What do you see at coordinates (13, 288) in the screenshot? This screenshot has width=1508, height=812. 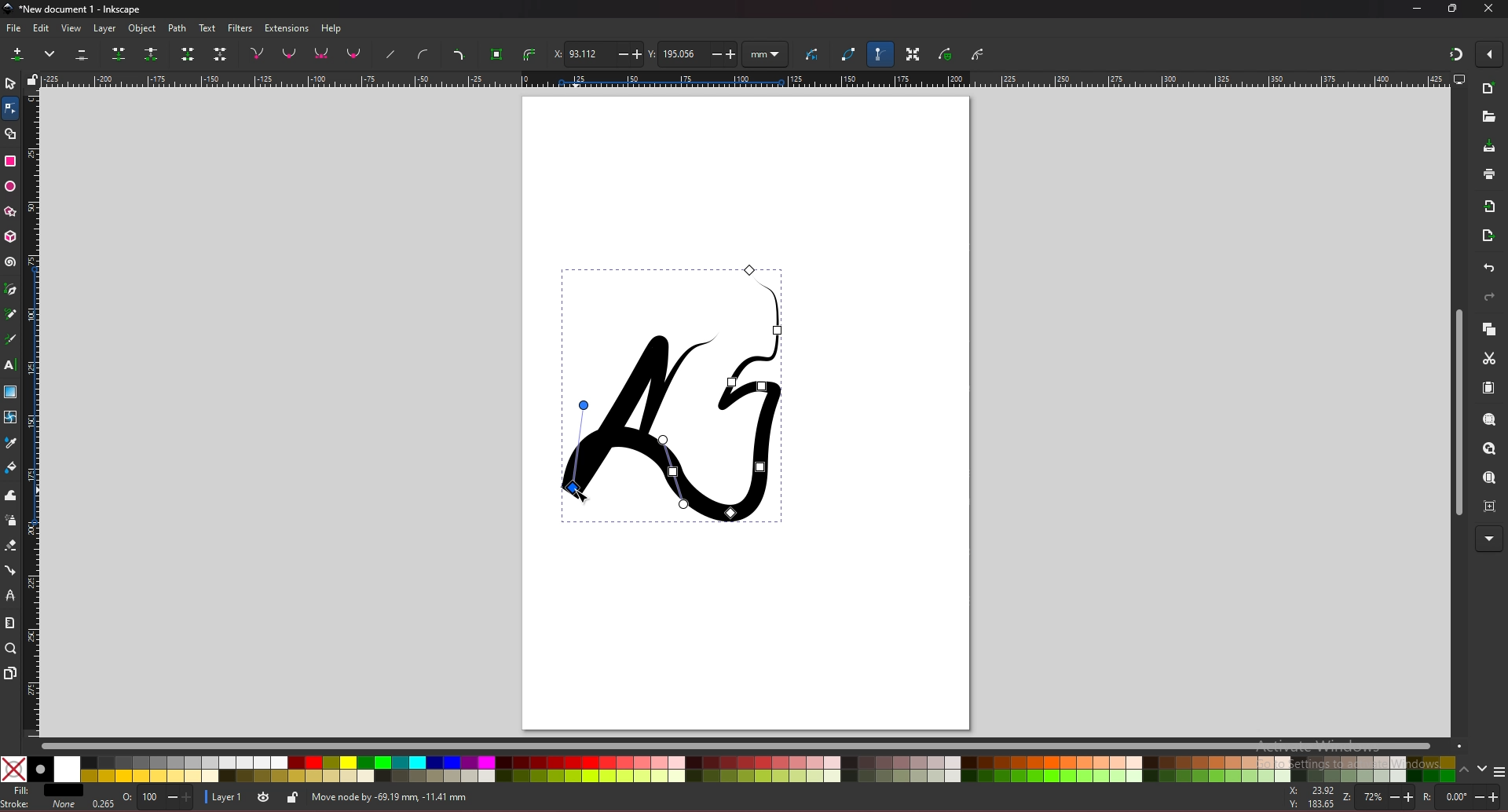 I see `pen` at bounding box center [13, 288].